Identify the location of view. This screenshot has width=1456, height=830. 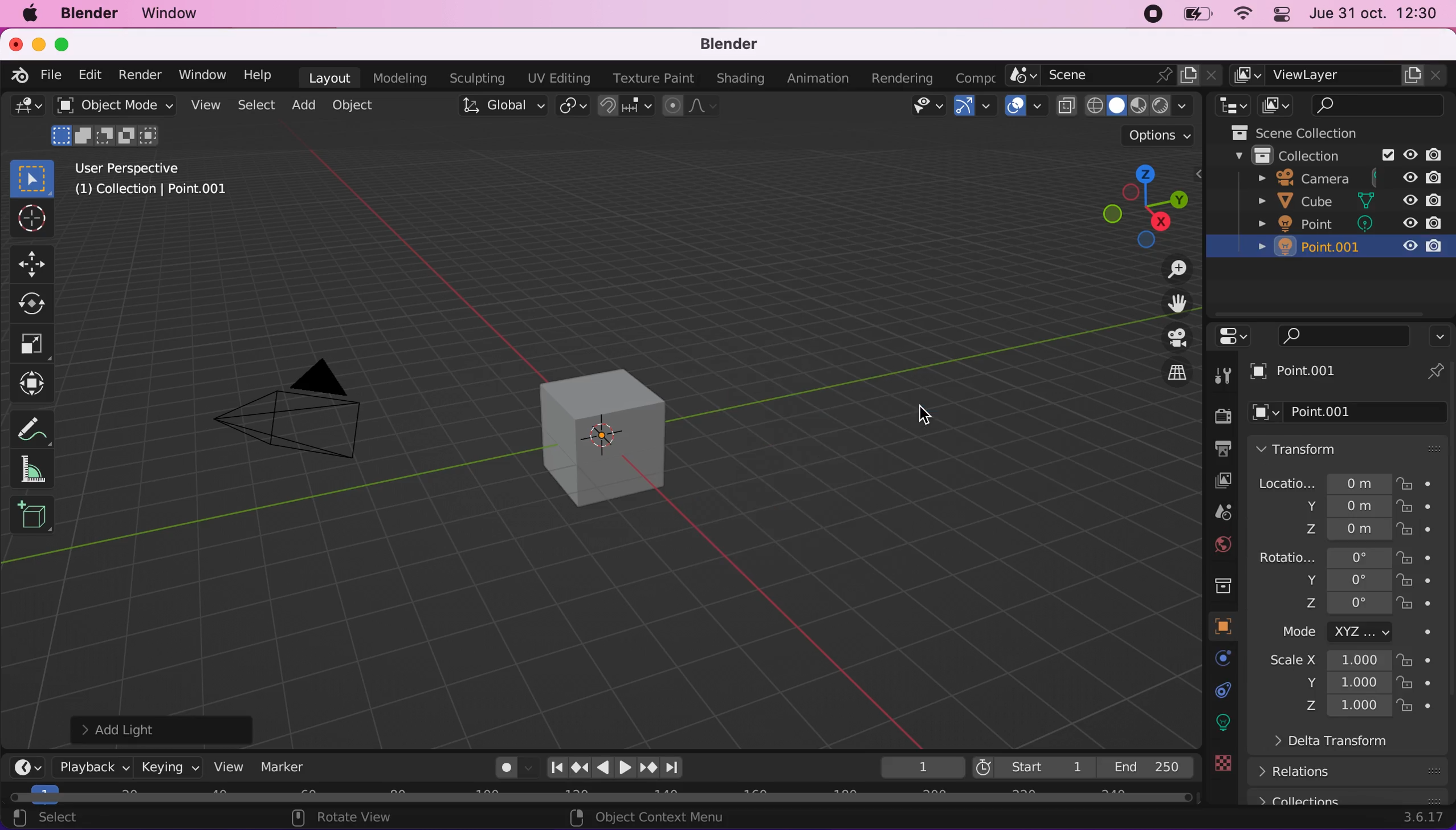
(206, 105).